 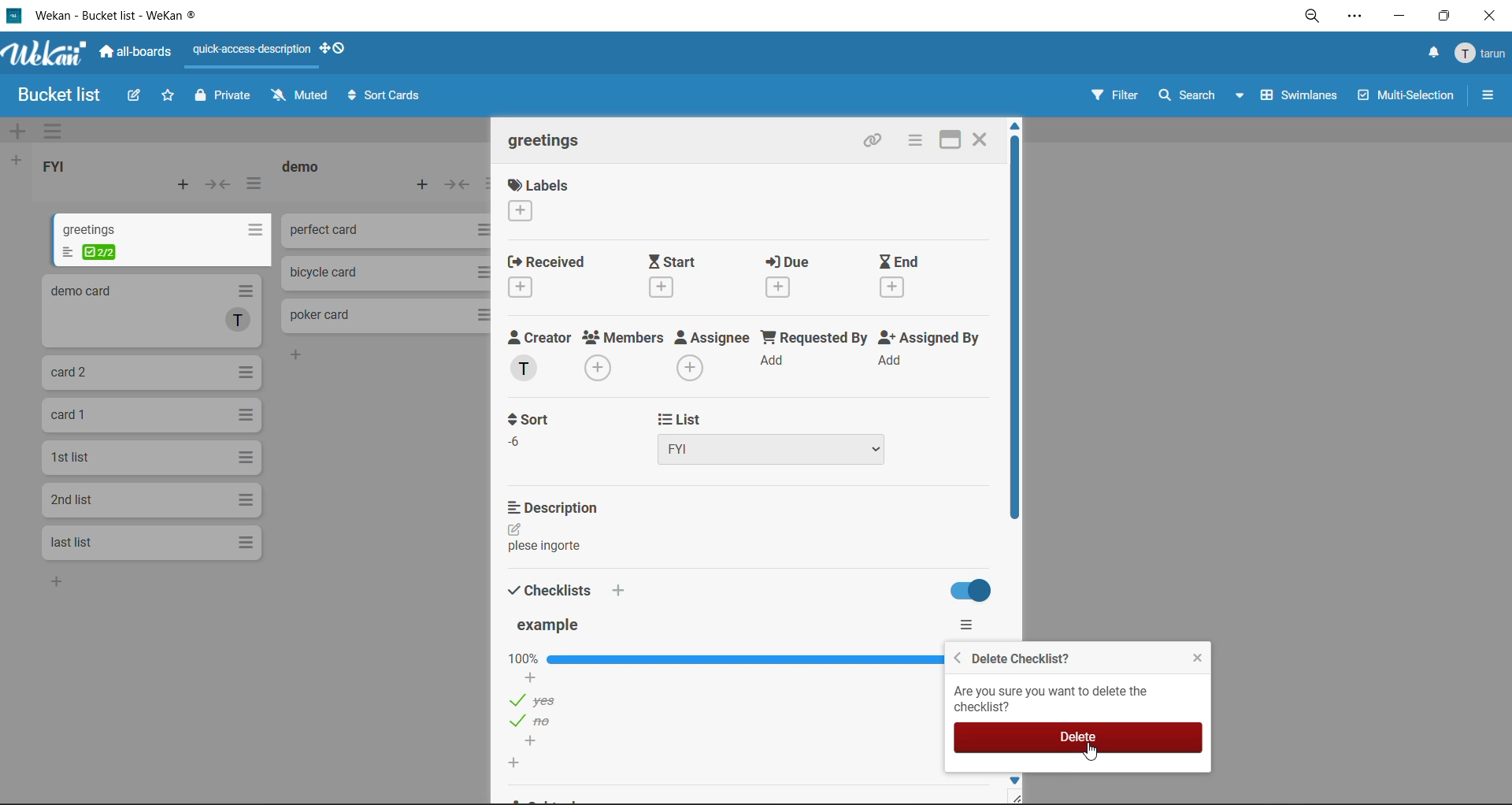 What do you see at coordinates (621, 590) in the screenshot?
I see `add checklist` at bounding box center [621, 590].